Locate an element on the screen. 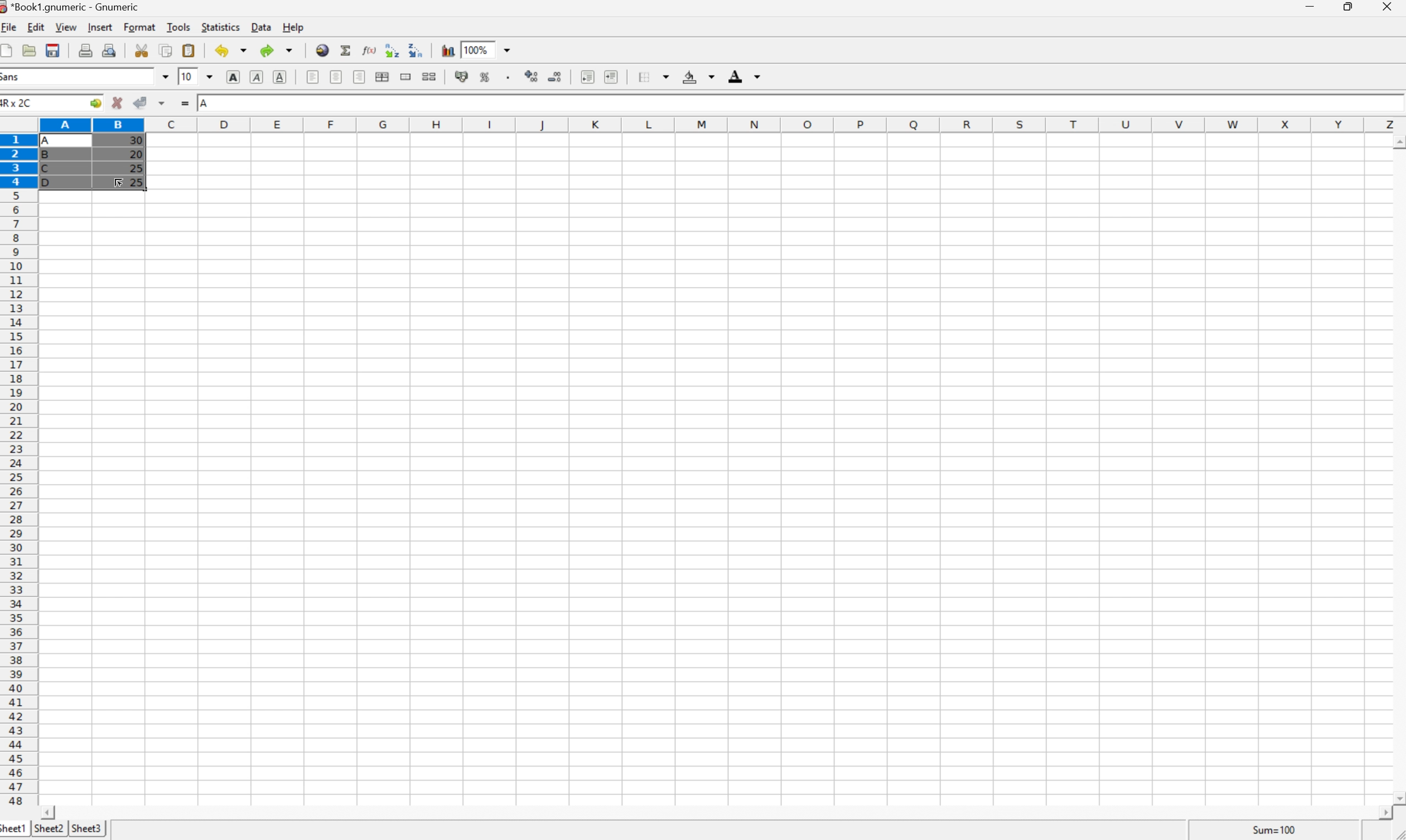 Image resolution: width=1406 pixels, height=840 pixels. Decrease number of decimals displayed is located at coordinates (557, 78).